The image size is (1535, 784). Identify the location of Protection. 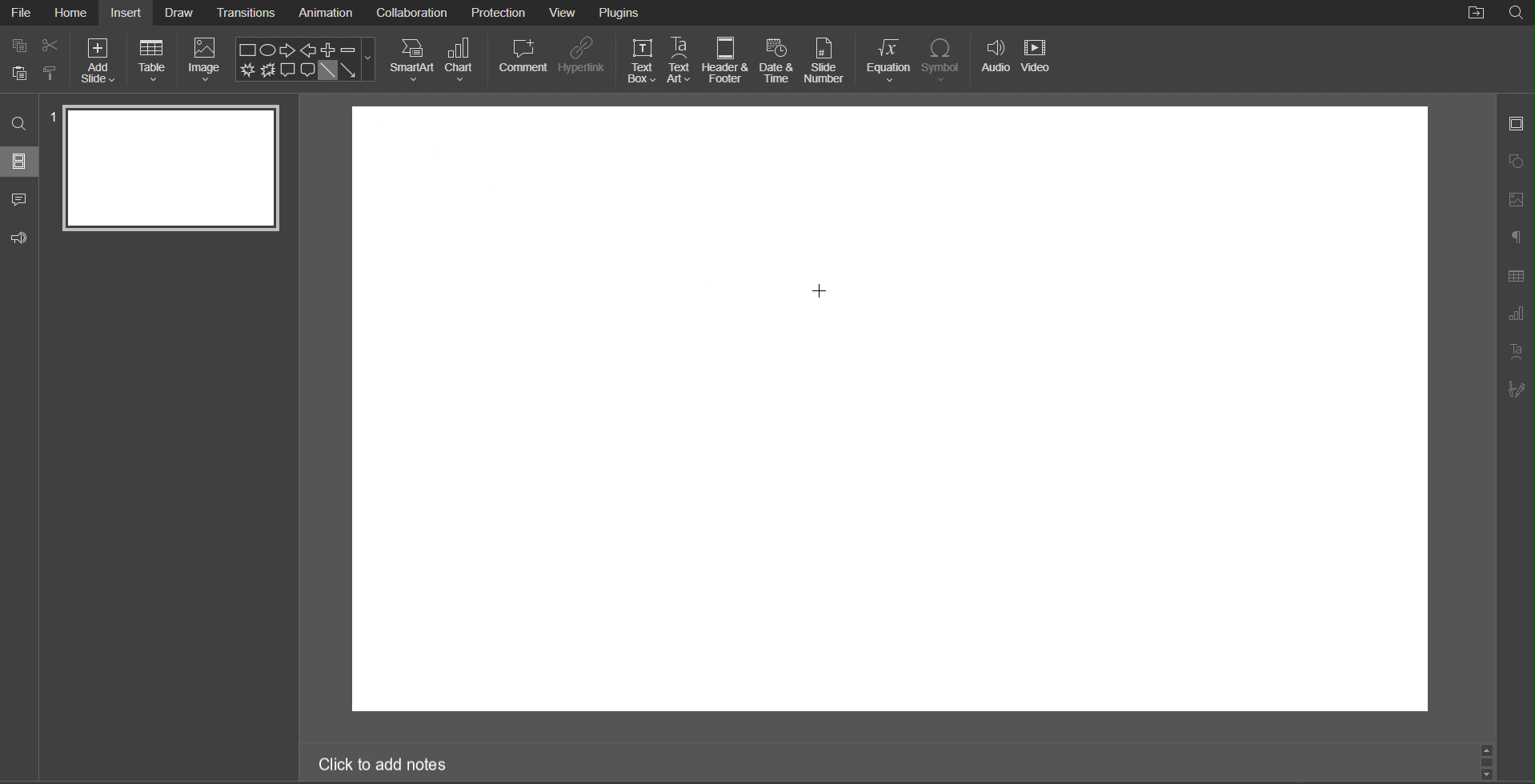
(499, 12).